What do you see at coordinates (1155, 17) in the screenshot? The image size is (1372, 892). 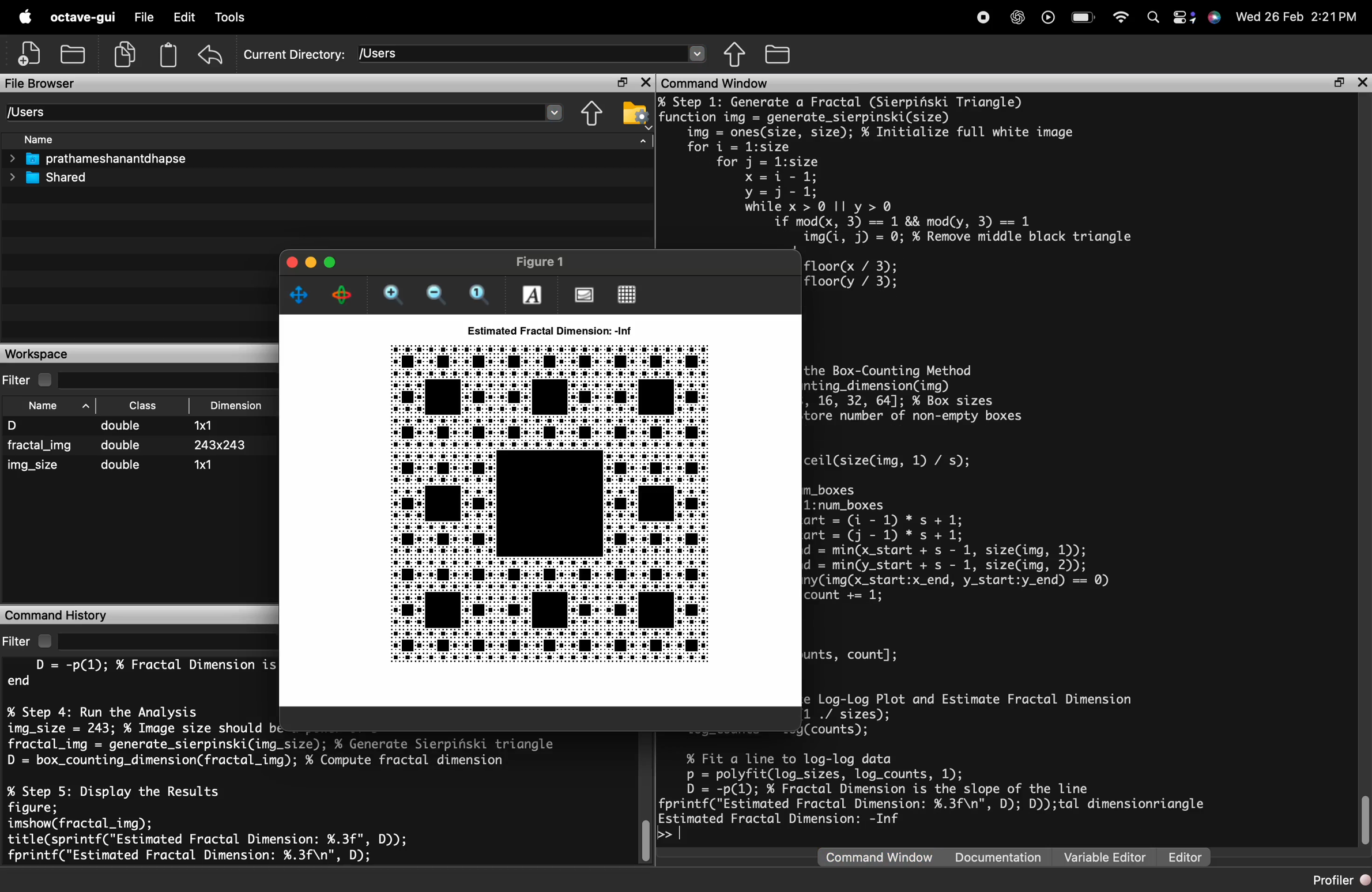 I see `search` at bounding box center [1155, 17].